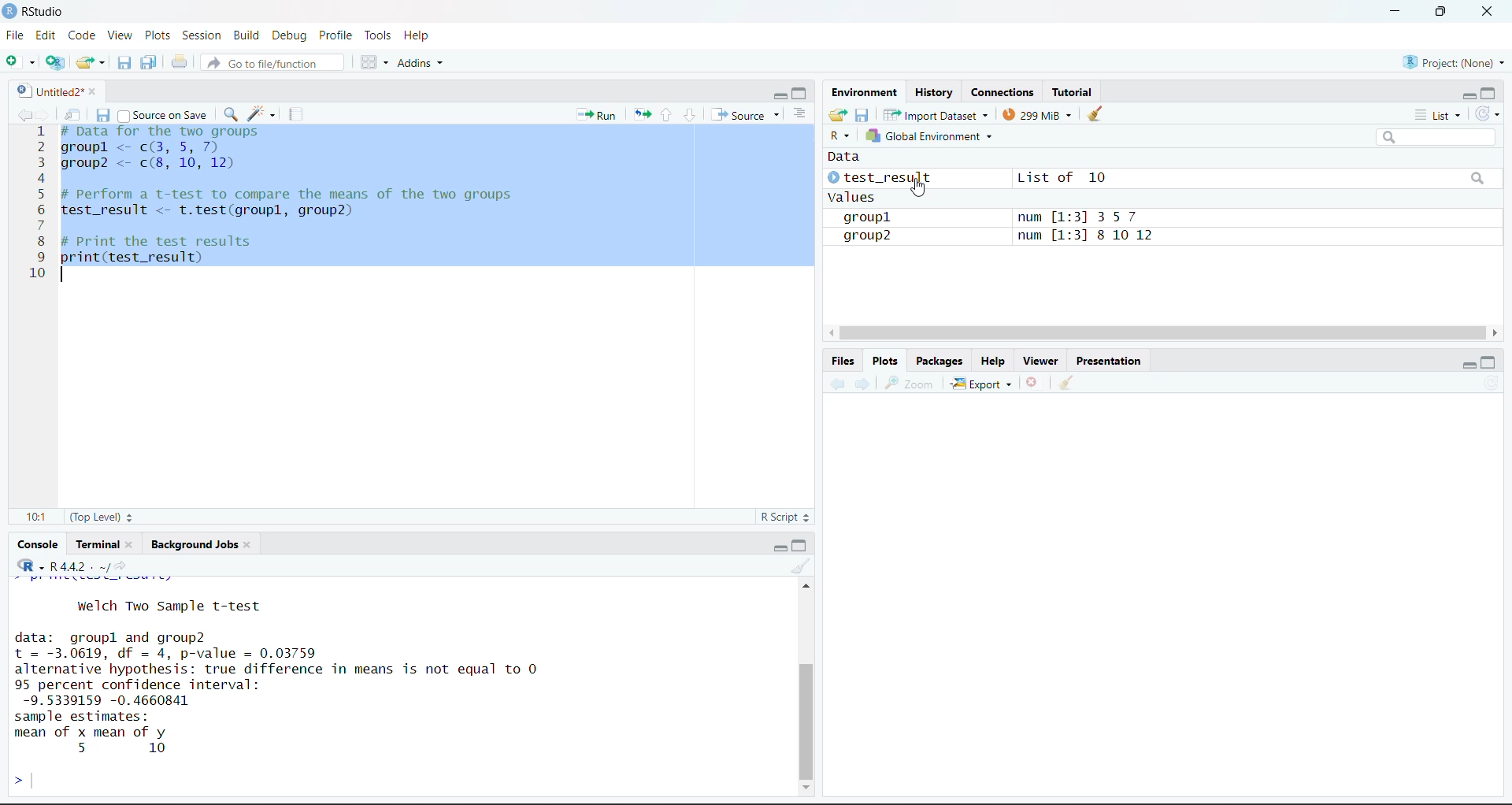 Image resolution: width=1512 pixels, height=805 pixels. What do you see at coordinates (871, 237) in the screenshot?
I see `group2` at bounding box center [871, 237].